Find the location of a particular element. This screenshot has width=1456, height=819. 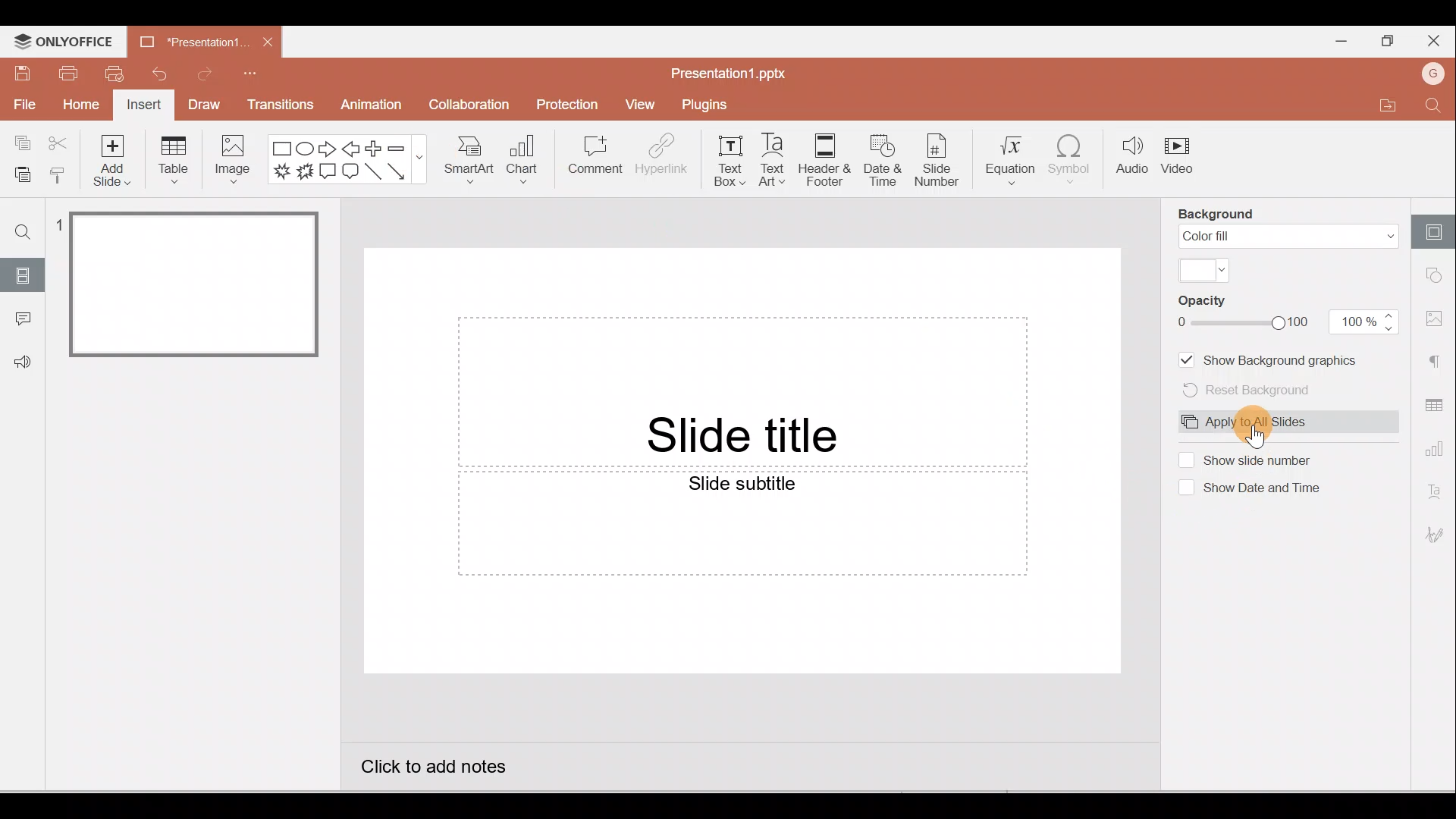

Close is located at coordinates (1437, 42).